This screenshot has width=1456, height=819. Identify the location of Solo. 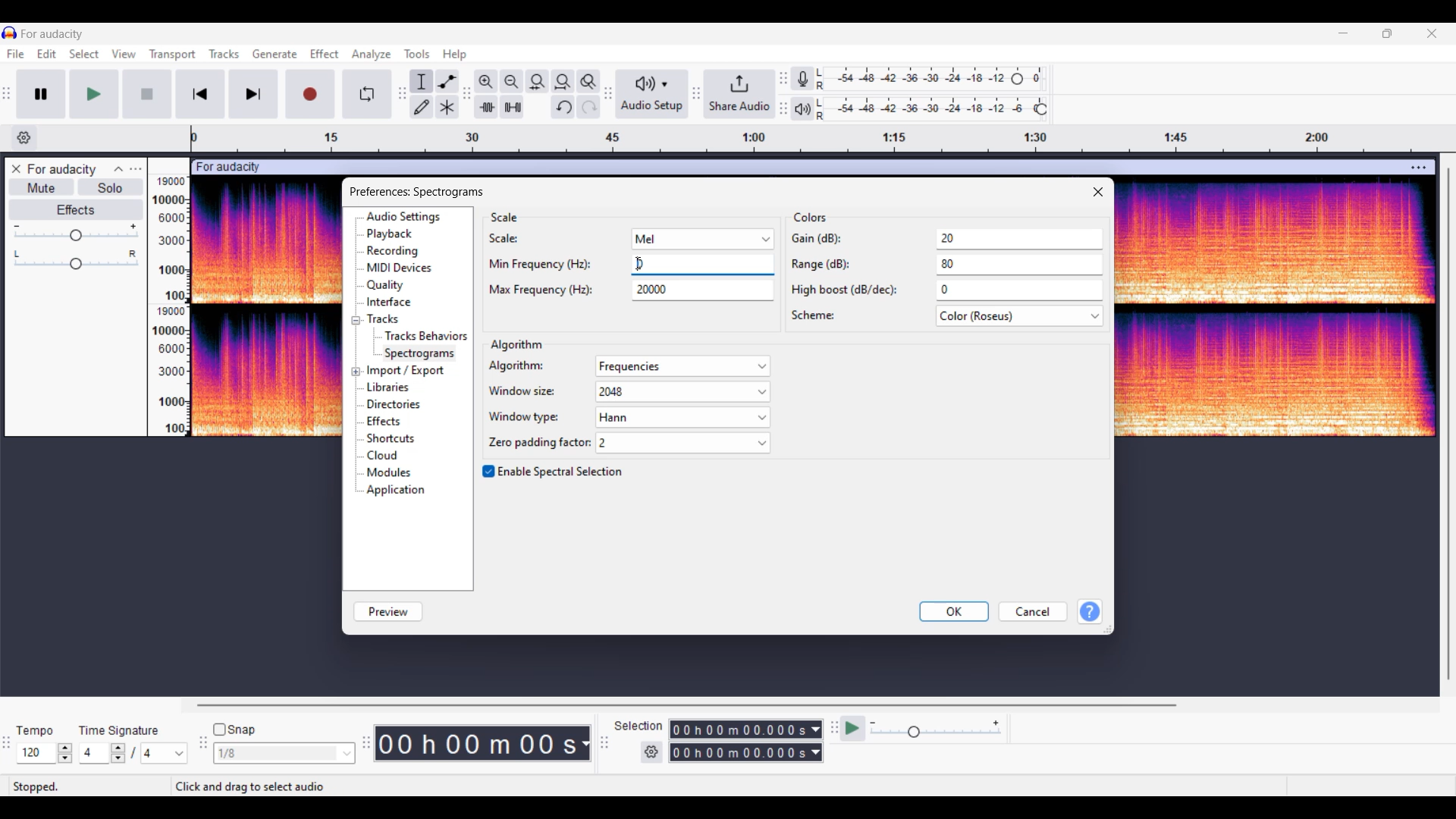
(111, 187).